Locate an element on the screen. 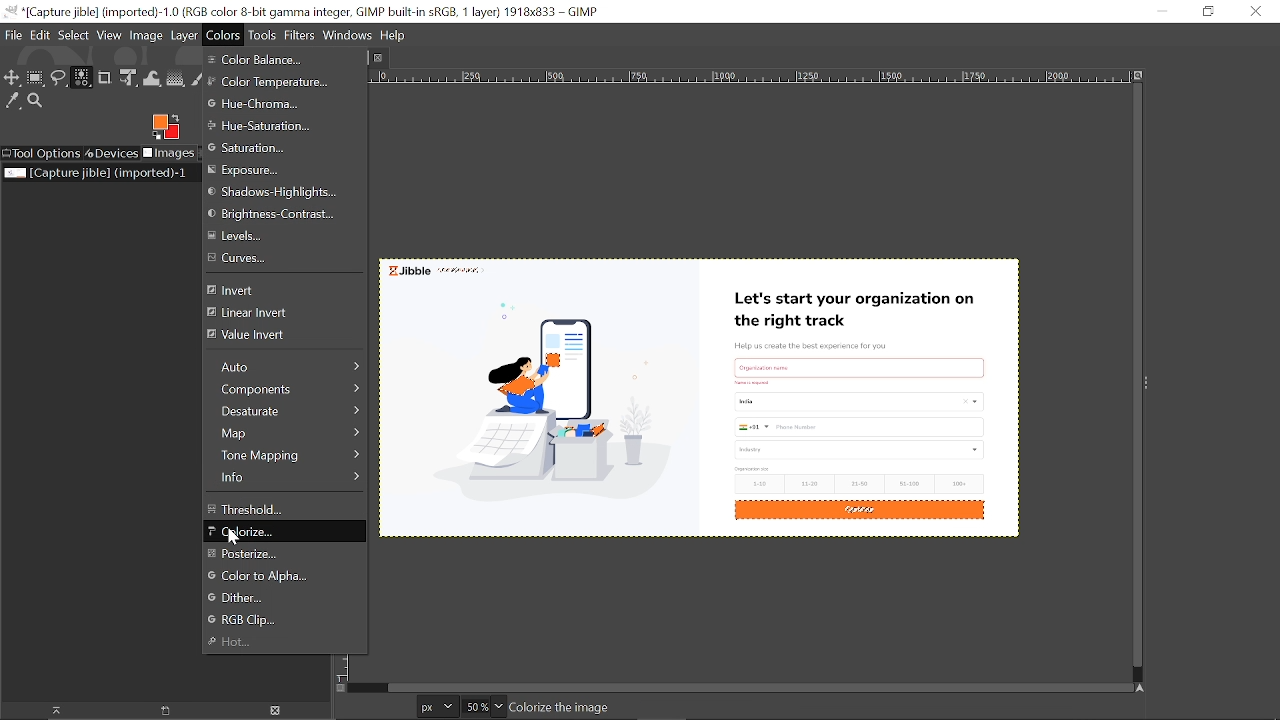 Image resolution: width=1280 pixels, height=720 pixels. Zoom tool is located at coordinates (38, 102).